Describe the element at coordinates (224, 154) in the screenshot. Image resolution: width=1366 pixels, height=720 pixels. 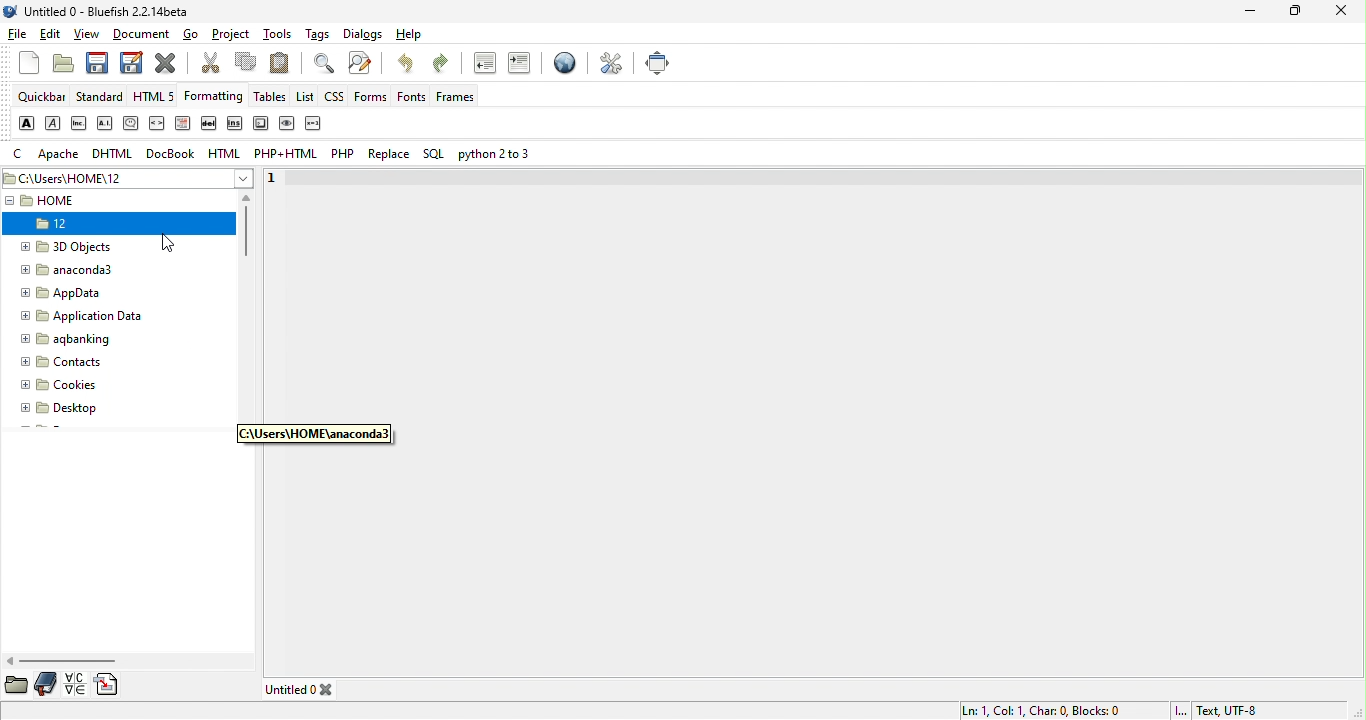
I see `html` at that location.